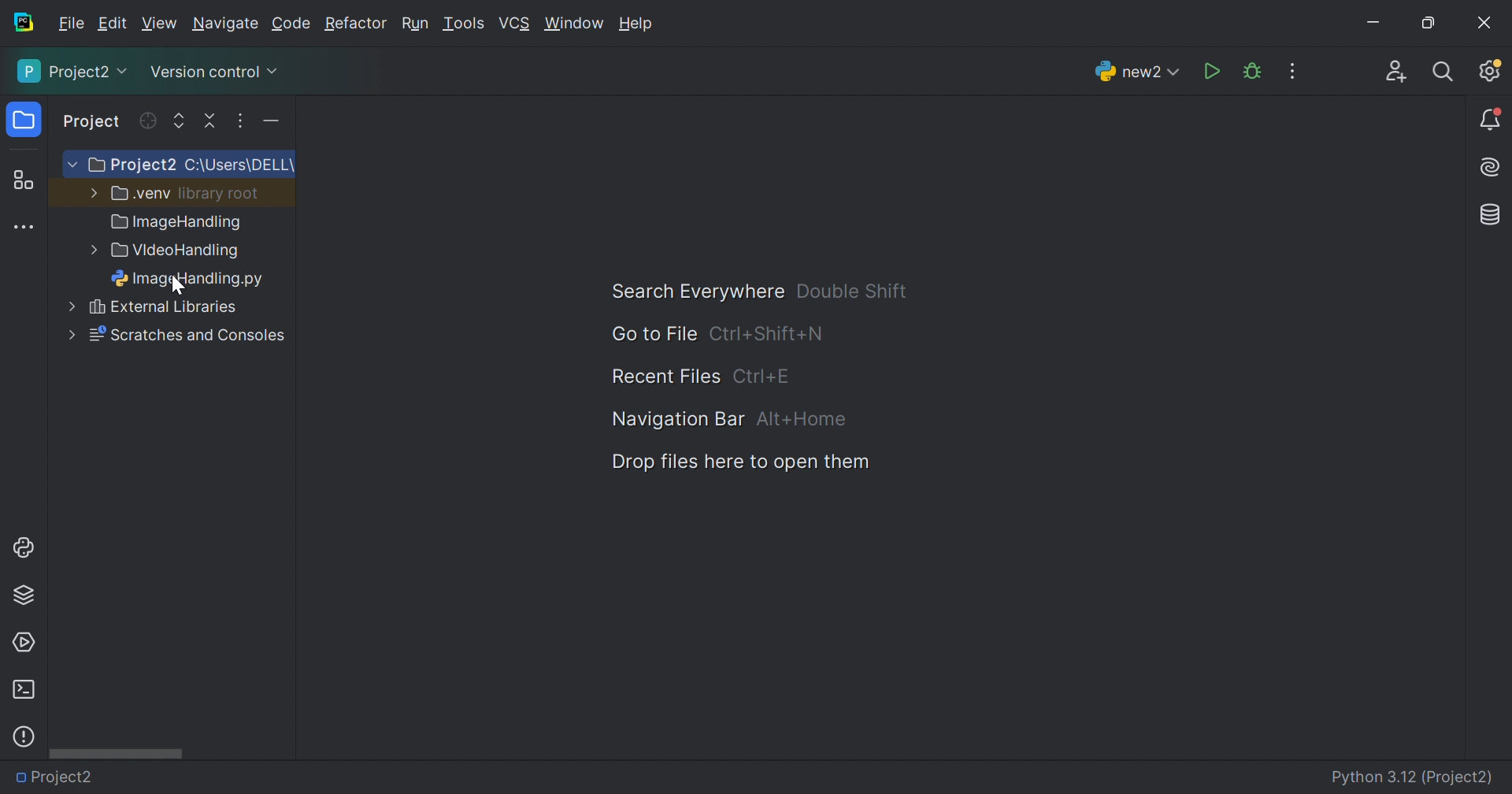  What do you see at coordinates (735, 462) in the screenshot?
I see `Dop files here to open them` at bounding box center [735, 462].